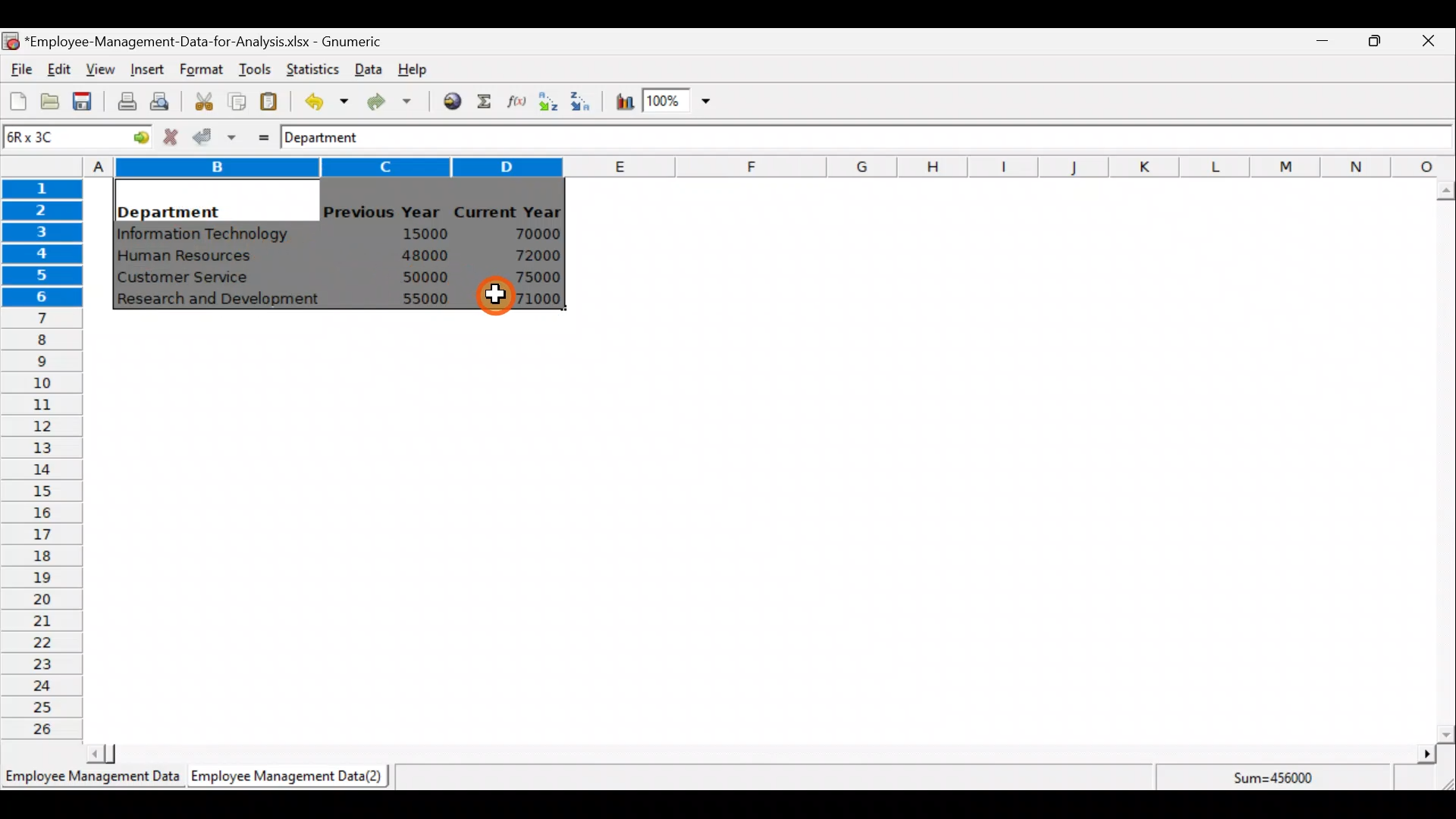 Image resolution: width=1456 pixels, height=819 pixels. What do you see at coordinates (201, 71) in the screenshot?
I see `Format` at bounding box center [201, 71].